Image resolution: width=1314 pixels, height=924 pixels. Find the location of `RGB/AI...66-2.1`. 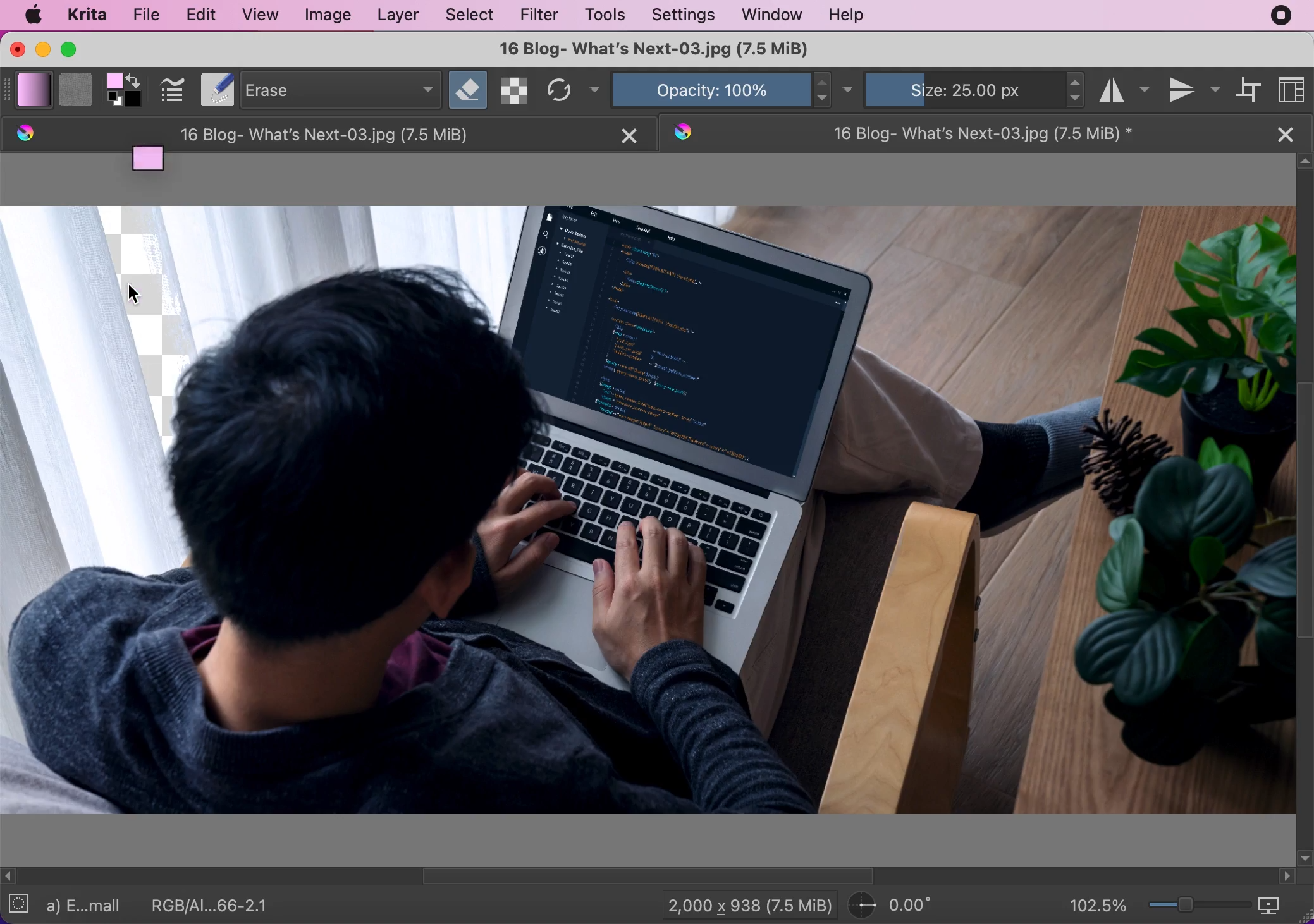

RGB/AI...66-2.1 is located at coordinates (214, 905).